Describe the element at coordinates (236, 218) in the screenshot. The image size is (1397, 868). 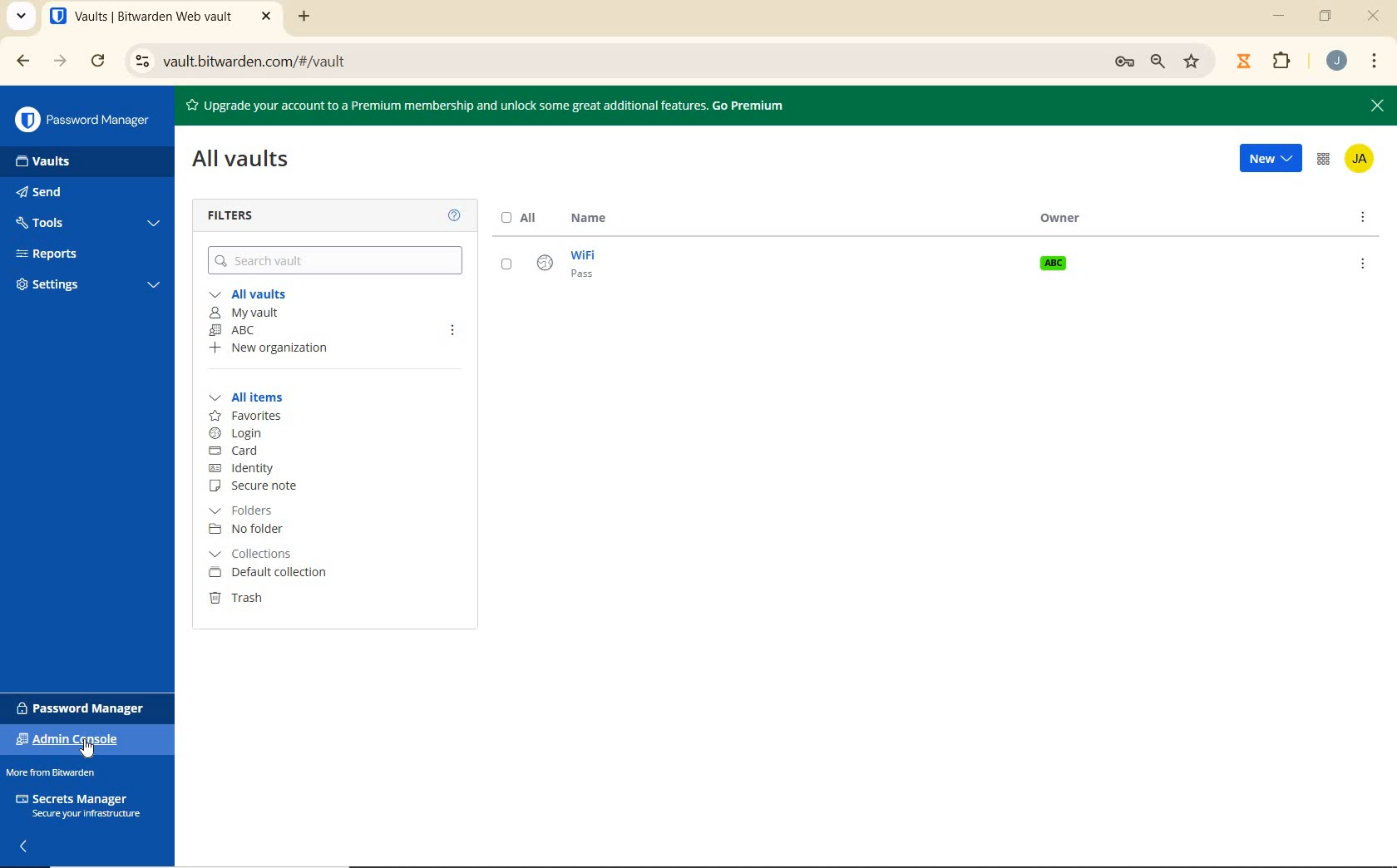
I see `FILTERS` at that location.